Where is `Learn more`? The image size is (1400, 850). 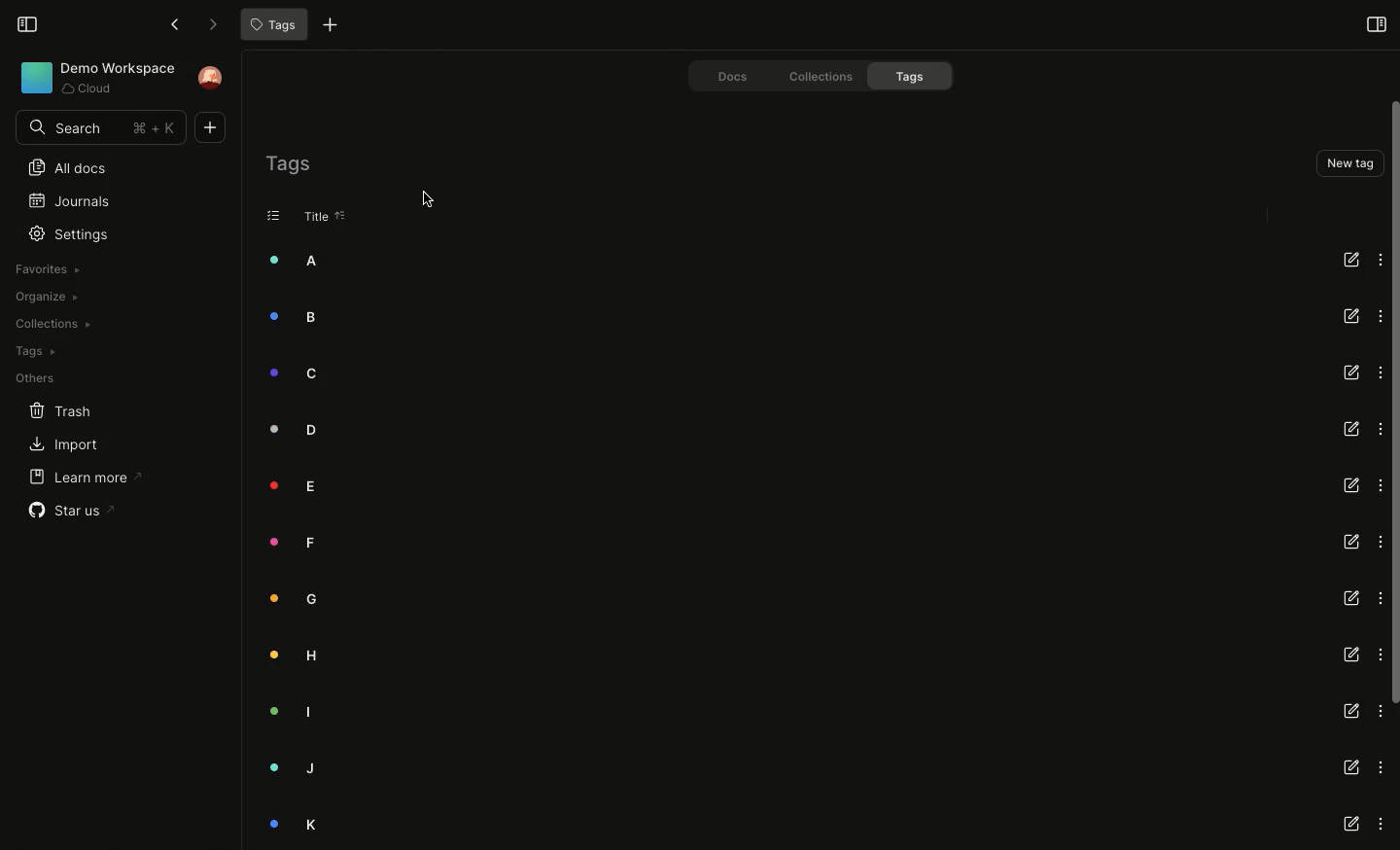 Learn more is located at coordinates (76, 478).